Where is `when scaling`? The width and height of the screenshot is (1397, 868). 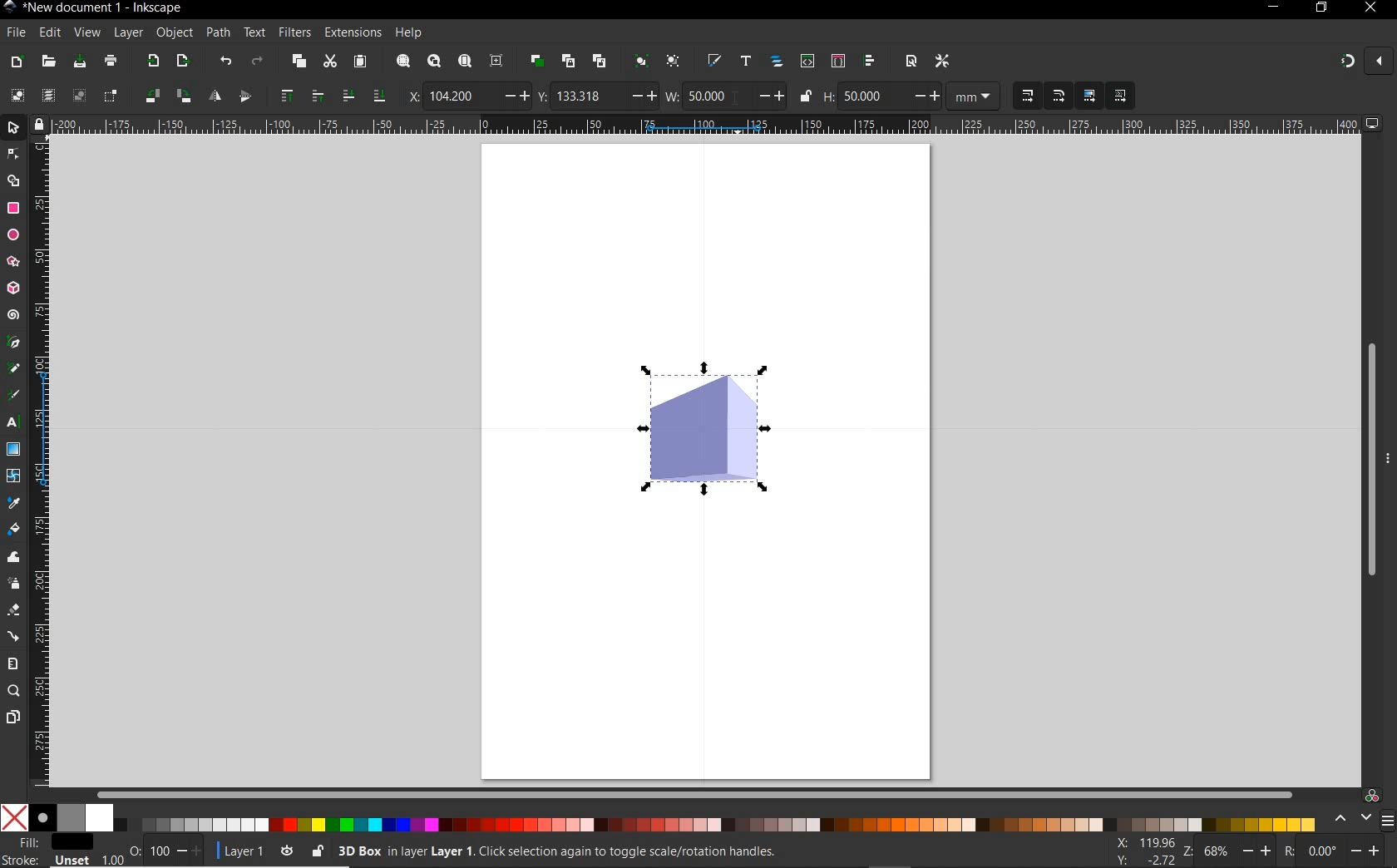 when scaling is located at coordinates (1059, 96).